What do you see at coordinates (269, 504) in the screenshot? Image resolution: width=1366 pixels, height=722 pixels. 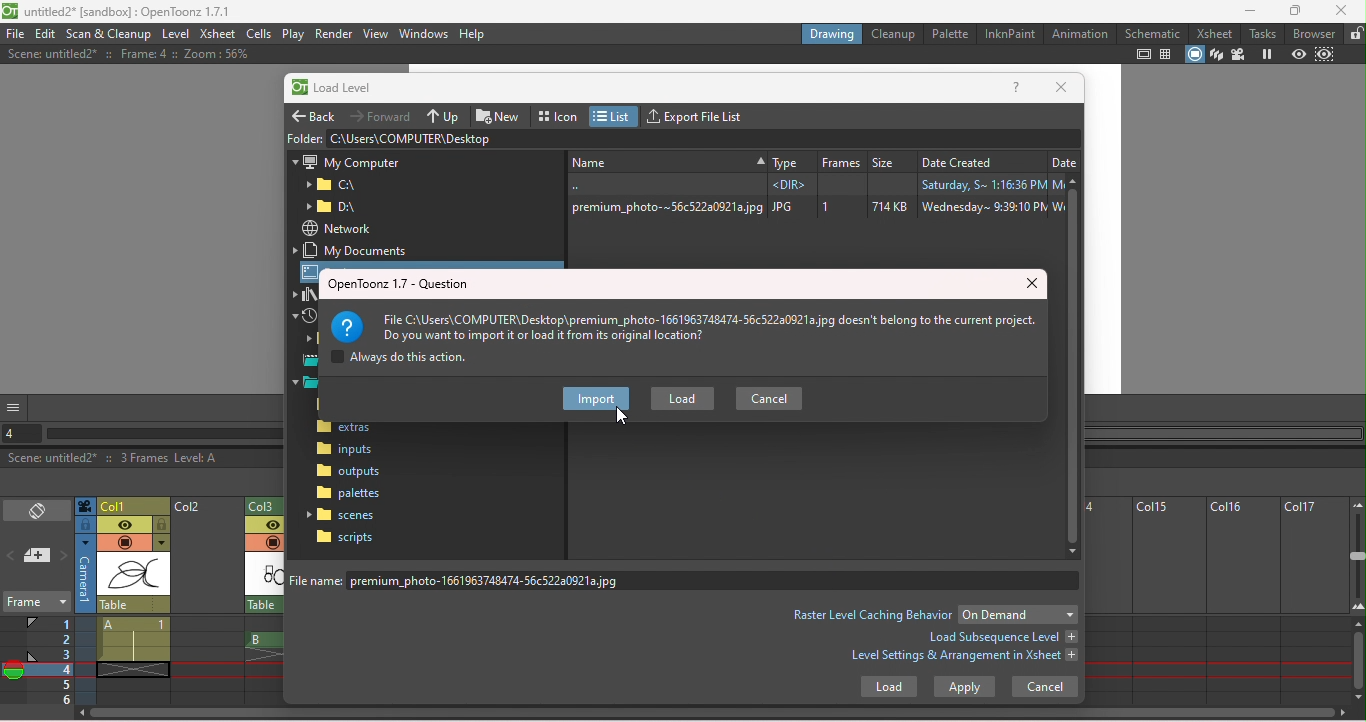 I see `Column 3` at bounding box center [269, 504].